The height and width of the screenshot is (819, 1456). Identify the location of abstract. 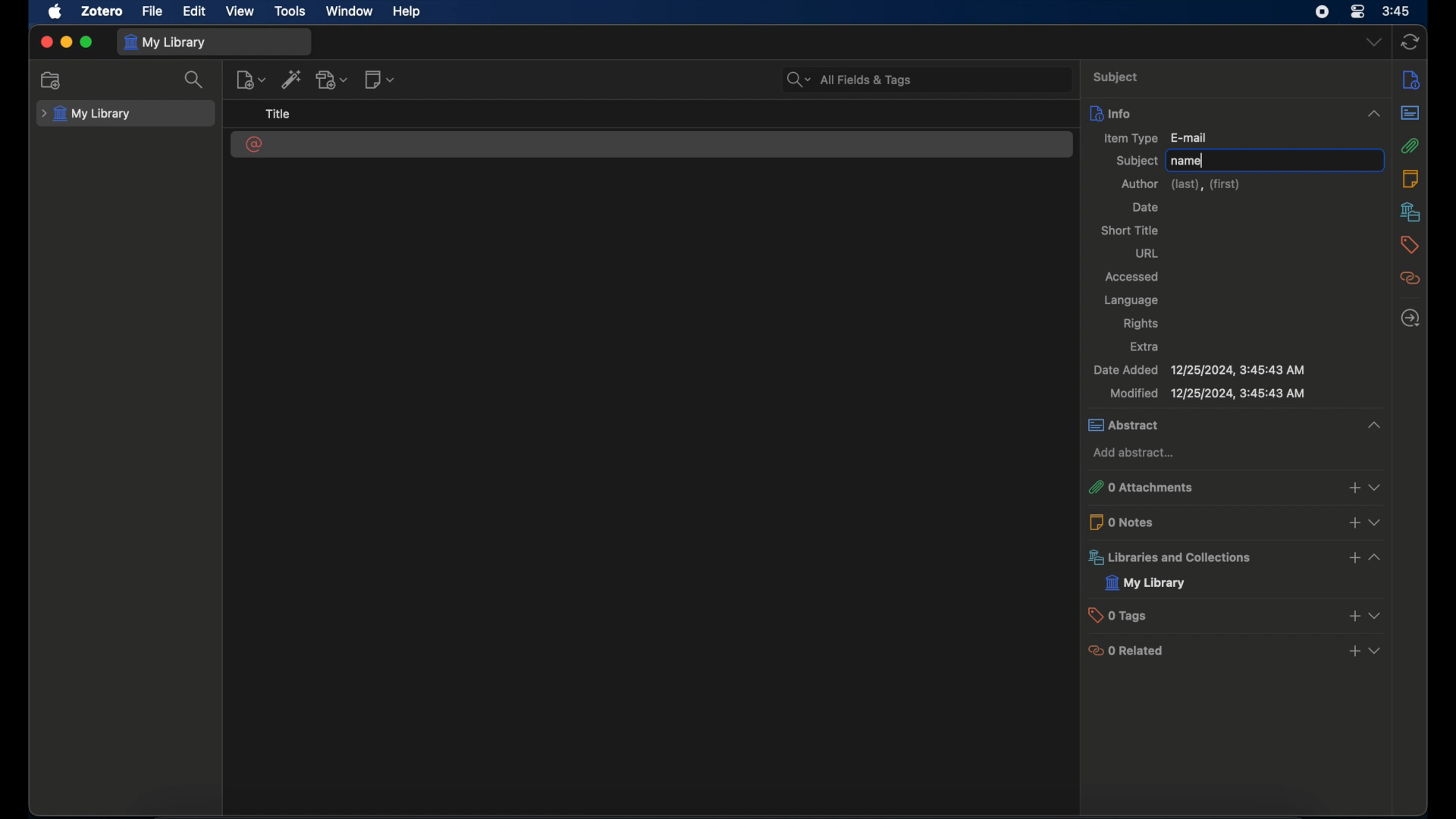
(1234, 425).